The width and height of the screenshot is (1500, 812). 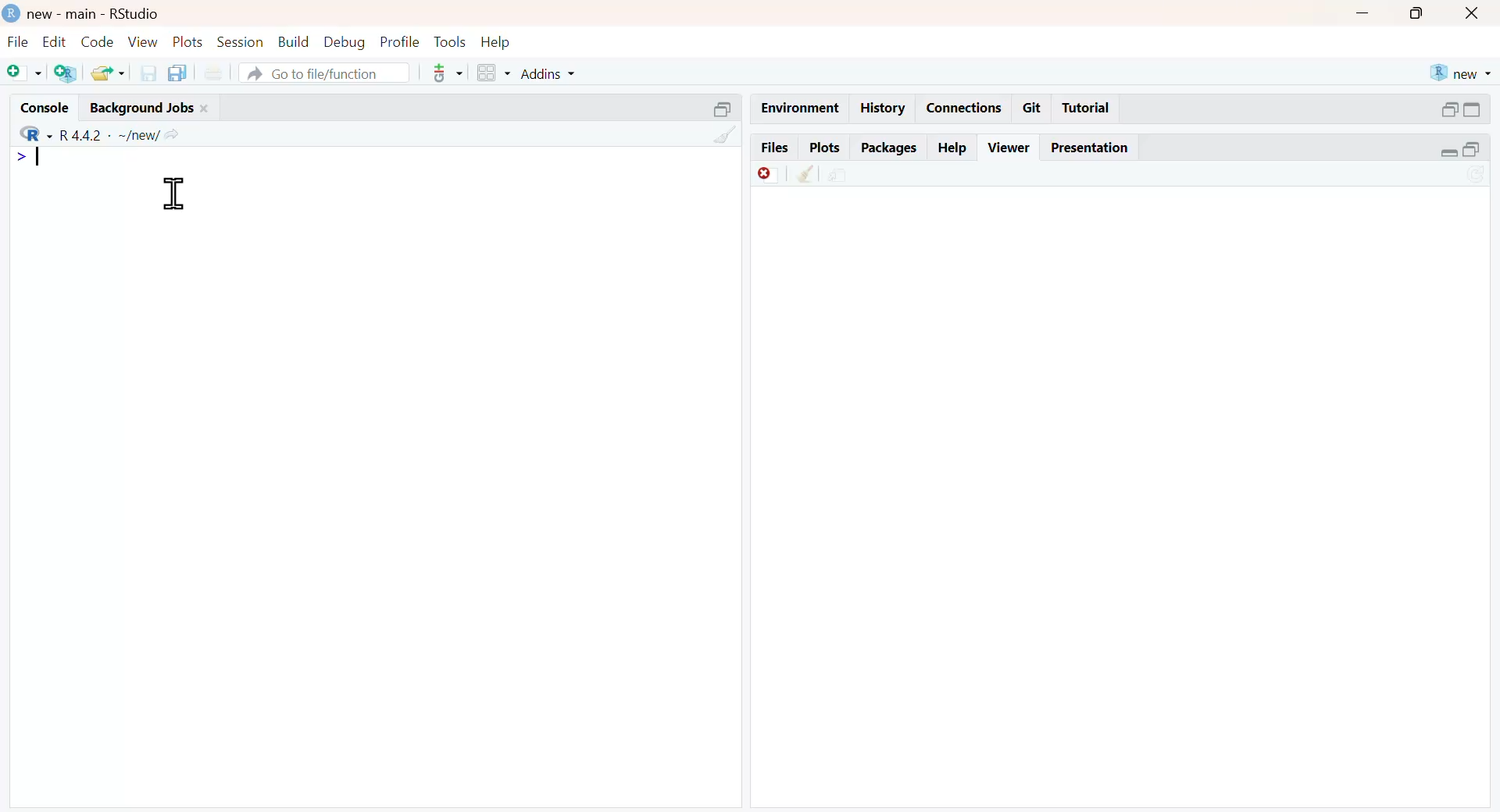 I want to click on save, so click(x=150, y=73).